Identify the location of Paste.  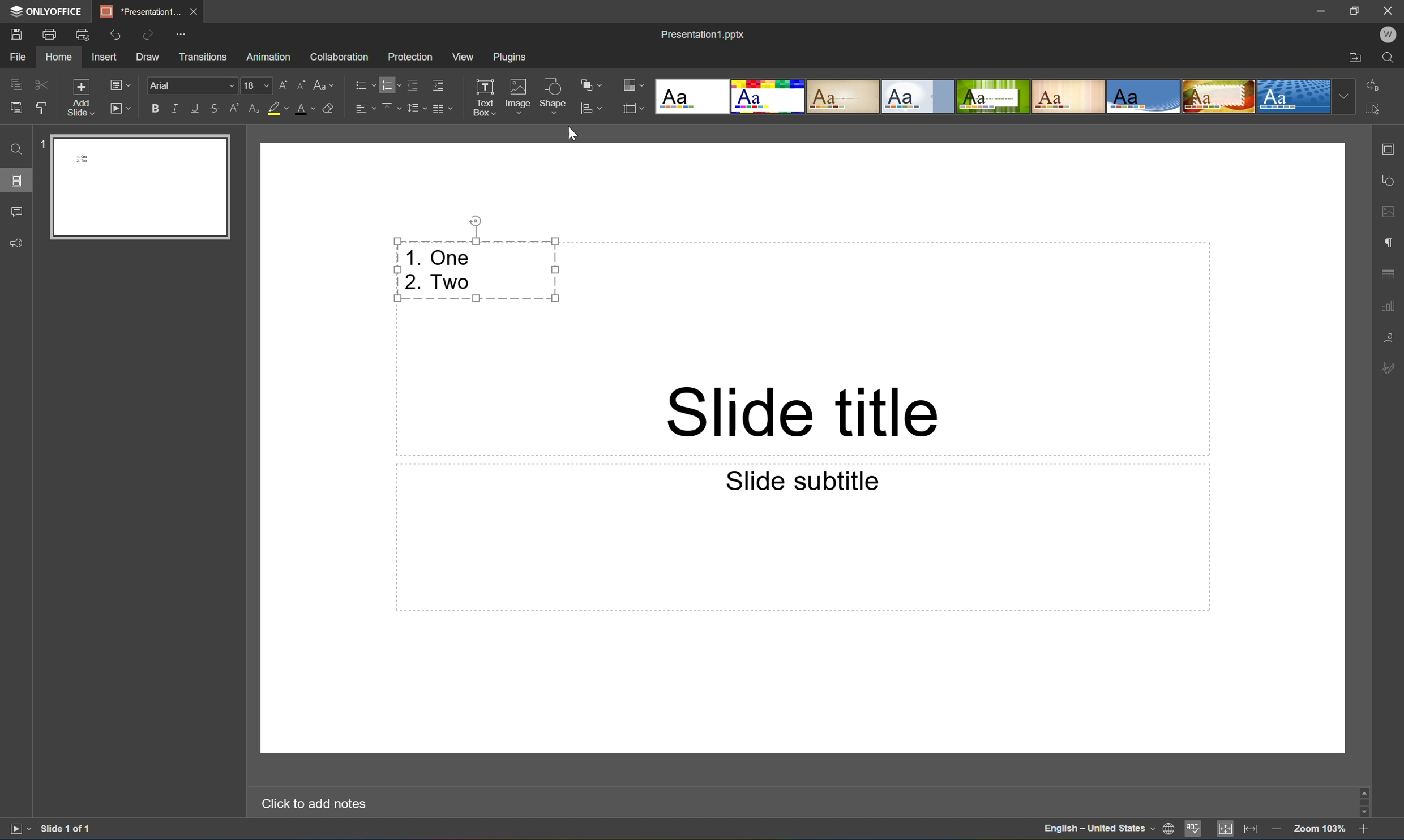
(145, 187).